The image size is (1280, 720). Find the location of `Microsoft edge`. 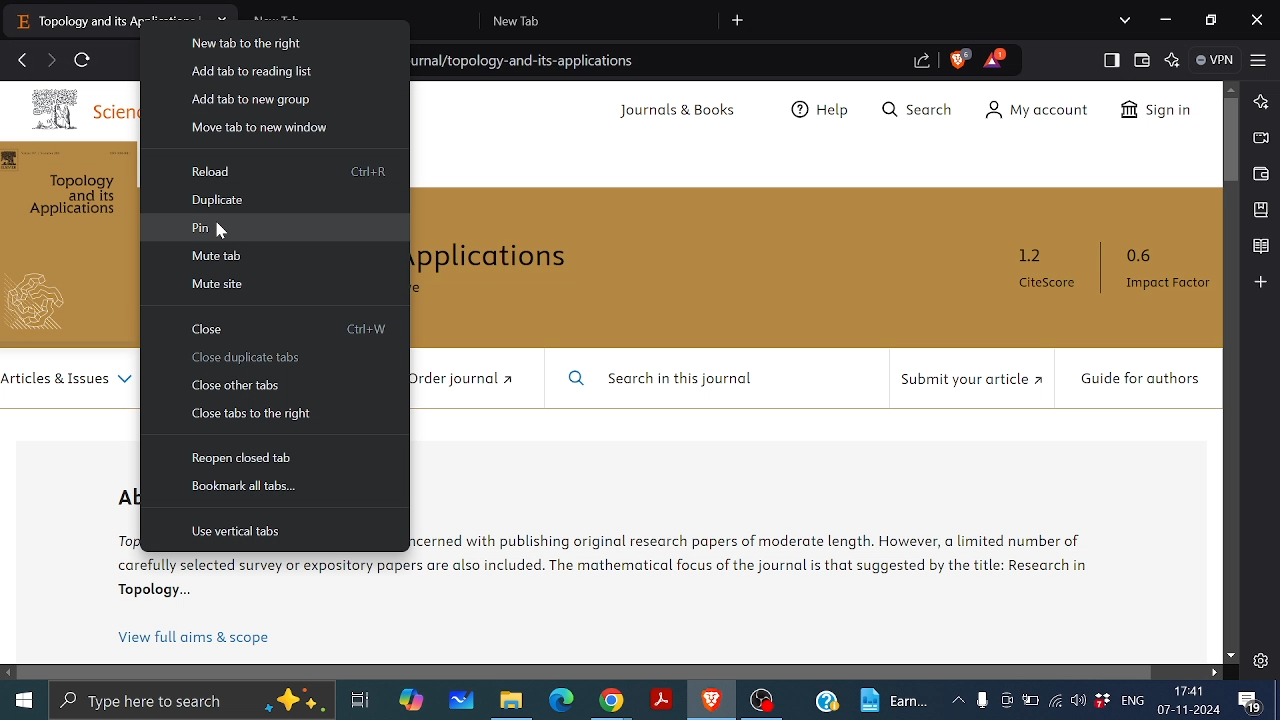

Microsoft edge is located at coordinates (565, 701).